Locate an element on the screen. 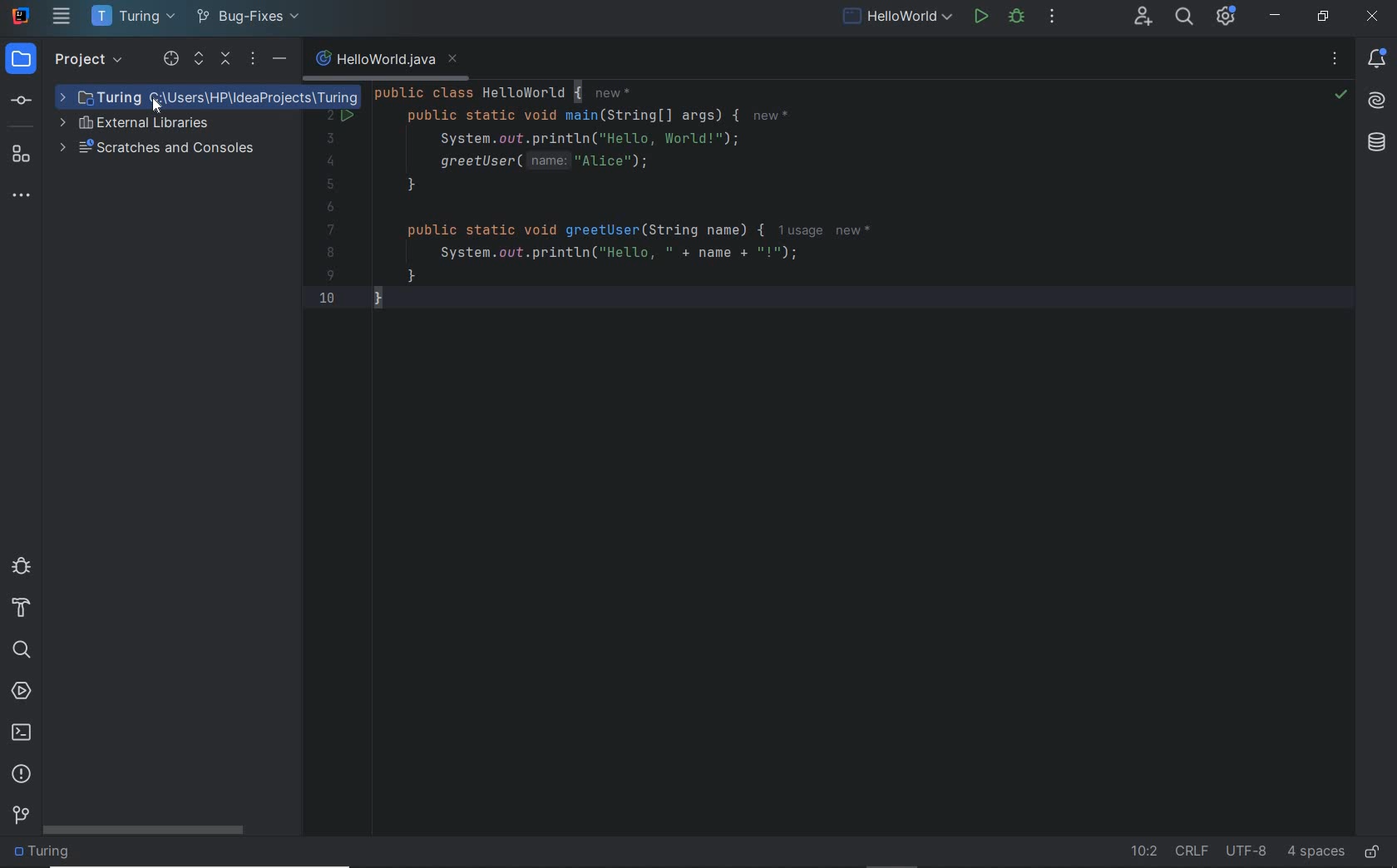  restore down is located at coordinates (1324, 17).